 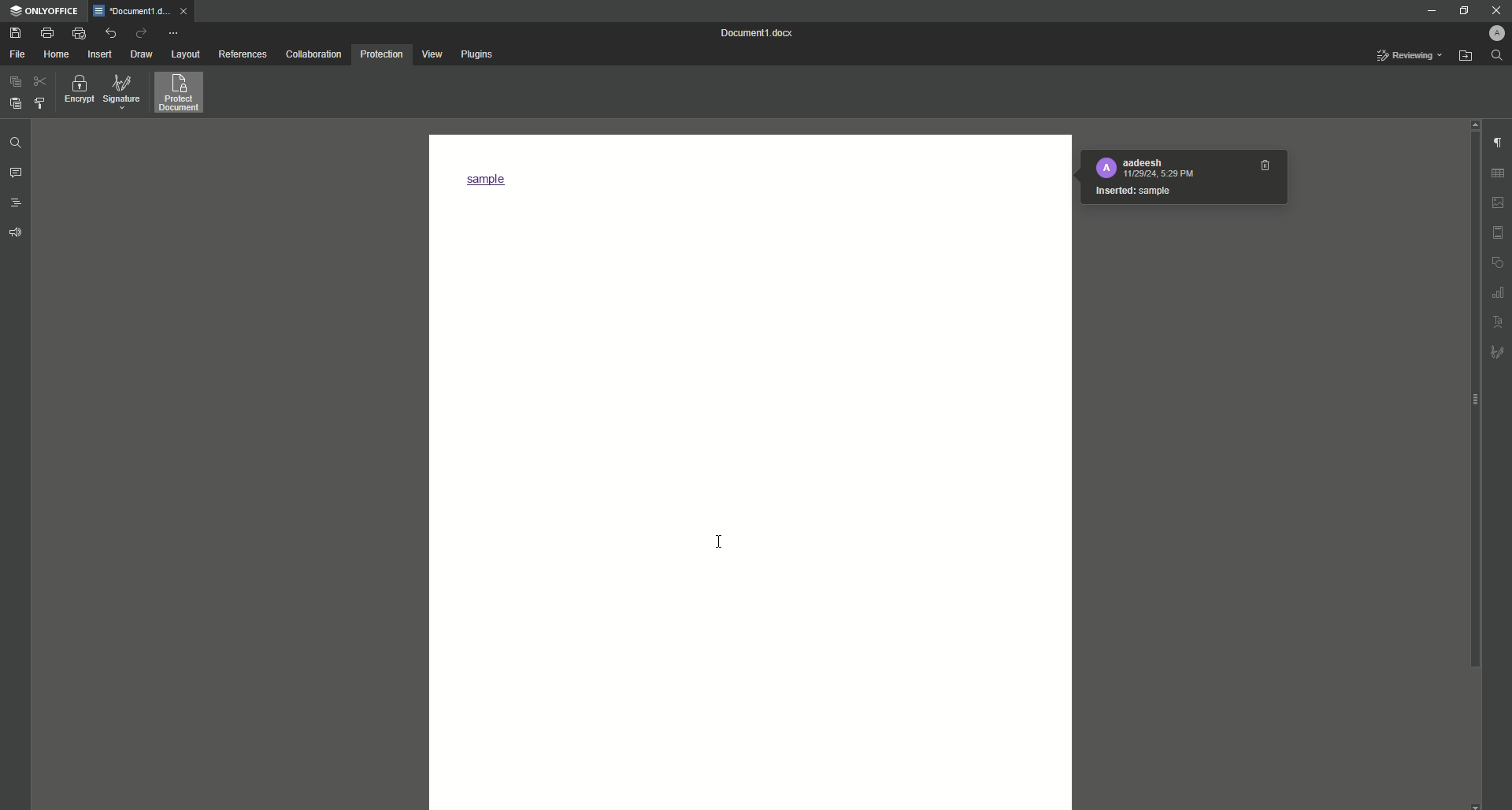 I want to click on Document1.docx, so click(x=131, y=11).